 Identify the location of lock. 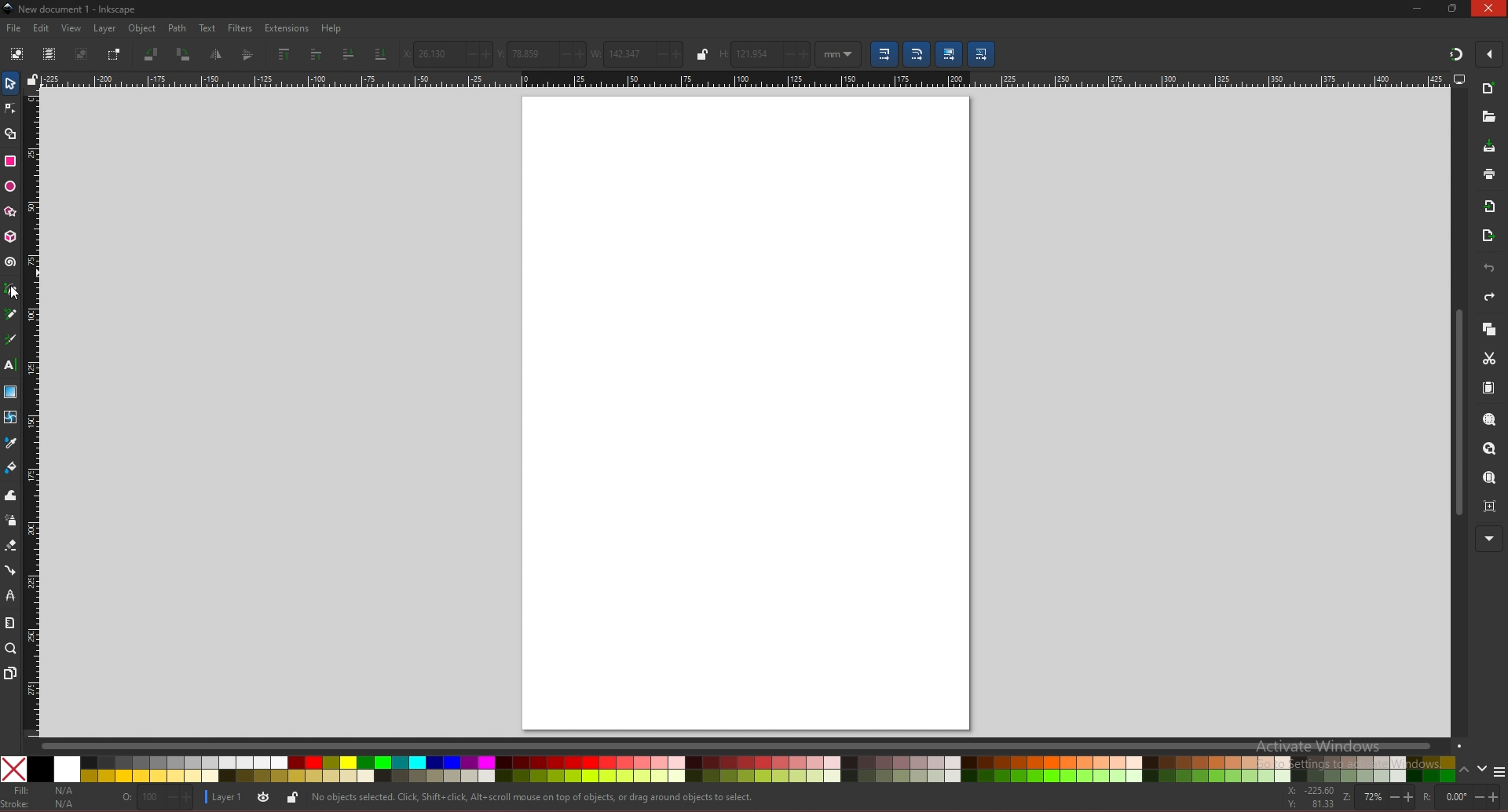
(292, 797).